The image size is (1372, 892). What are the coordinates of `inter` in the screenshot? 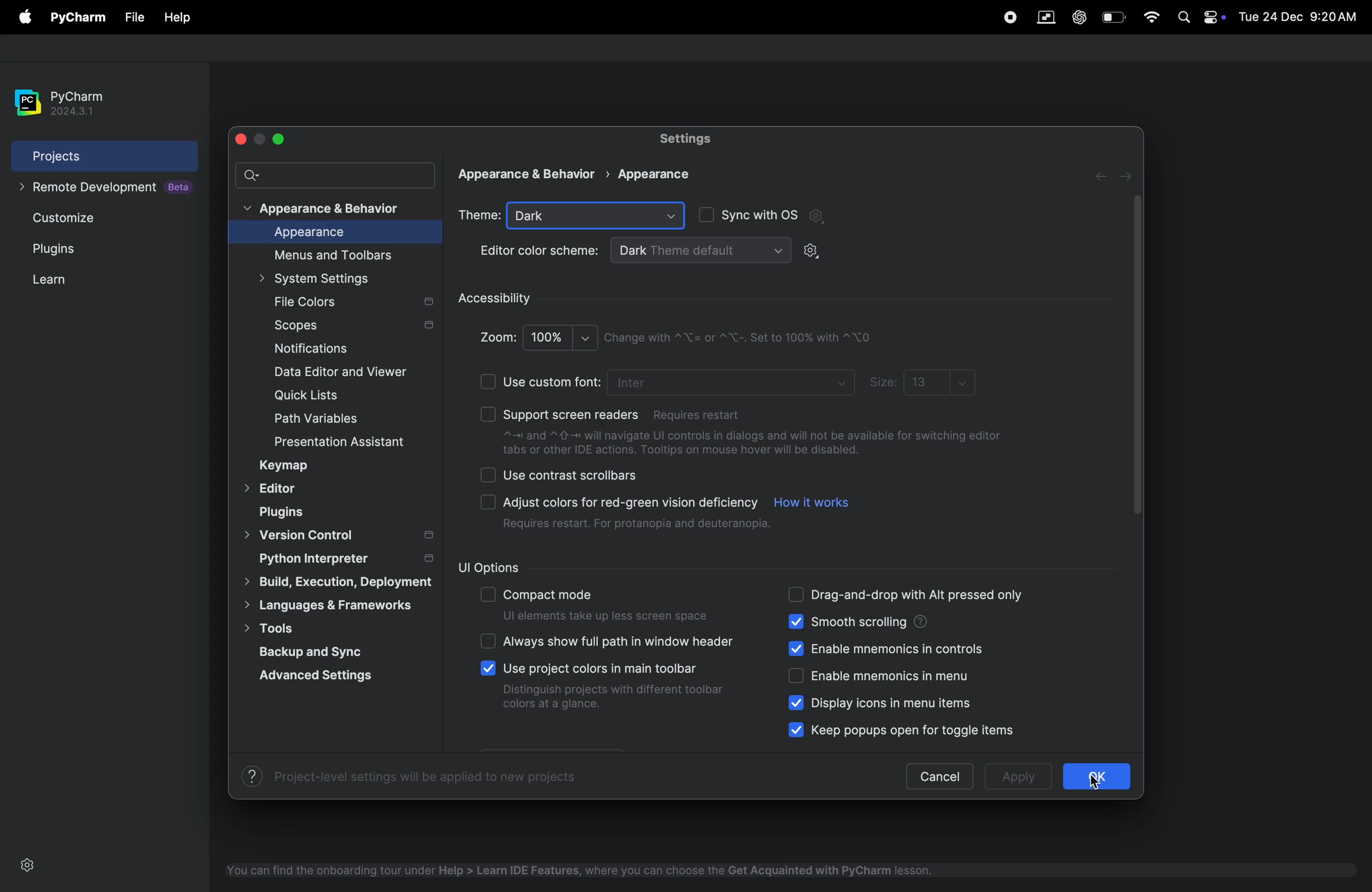 It's located at (733, 381).